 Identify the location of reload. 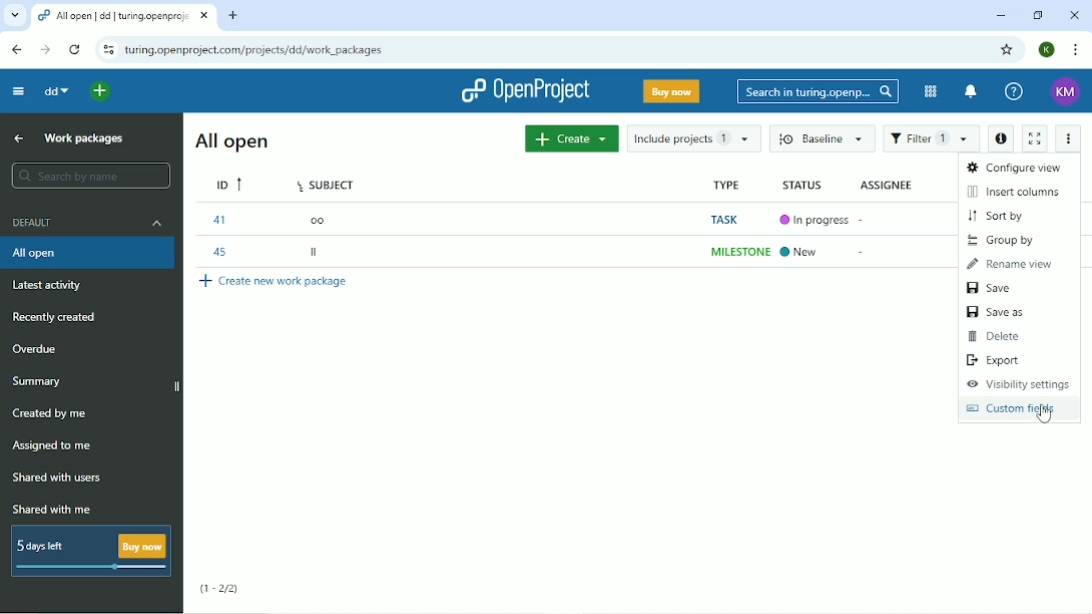
(73, 48).